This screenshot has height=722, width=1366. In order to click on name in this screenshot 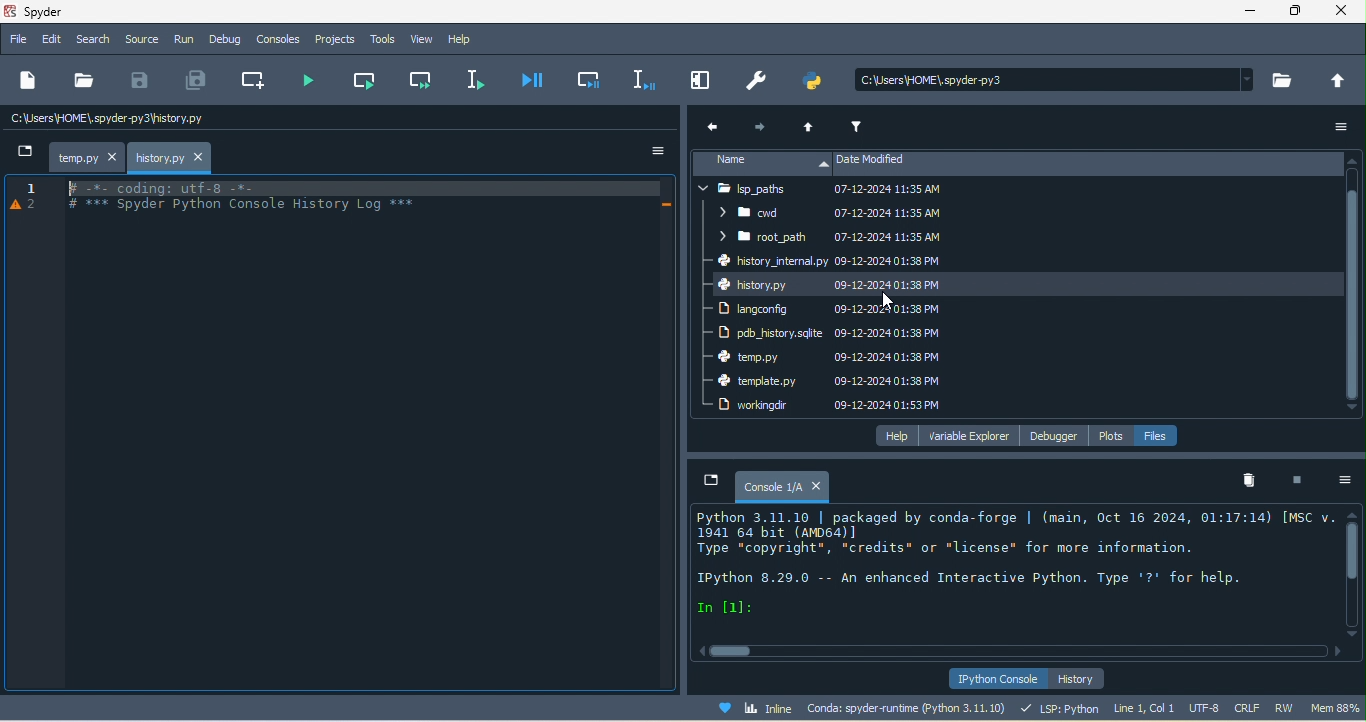, I will do `click(764, 163)`.